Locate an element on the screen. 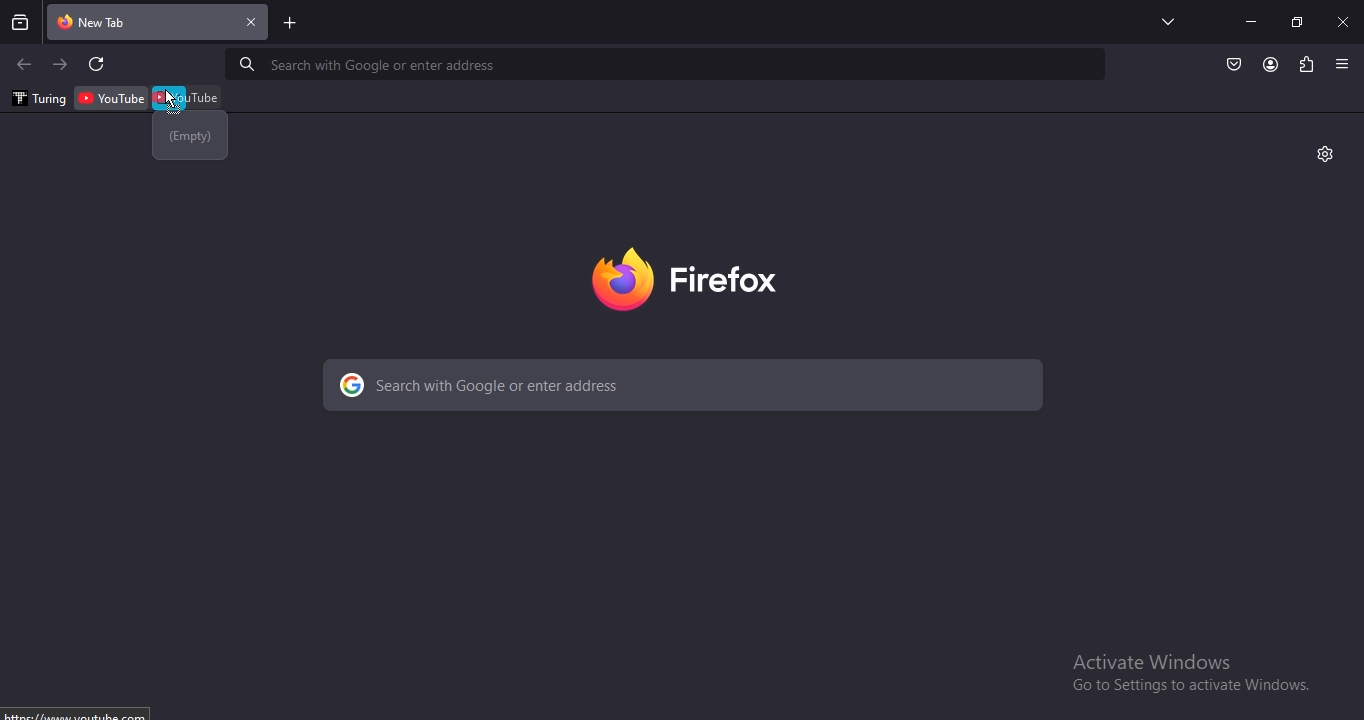 Image resolution: width=1364 pixels, height=720 pixels. emtpy is located at coordinates (190, 139).